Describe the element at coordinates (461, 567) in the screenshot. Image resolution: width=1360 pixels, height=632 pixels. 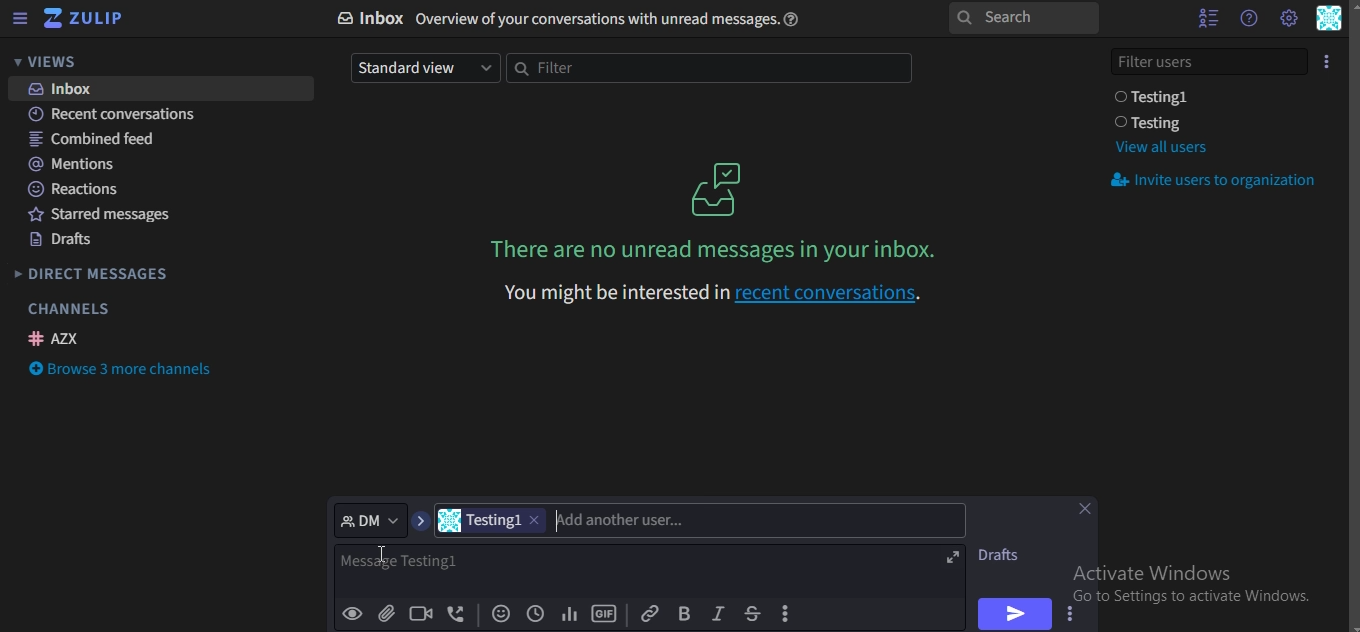
I see `message testing1` at that location.